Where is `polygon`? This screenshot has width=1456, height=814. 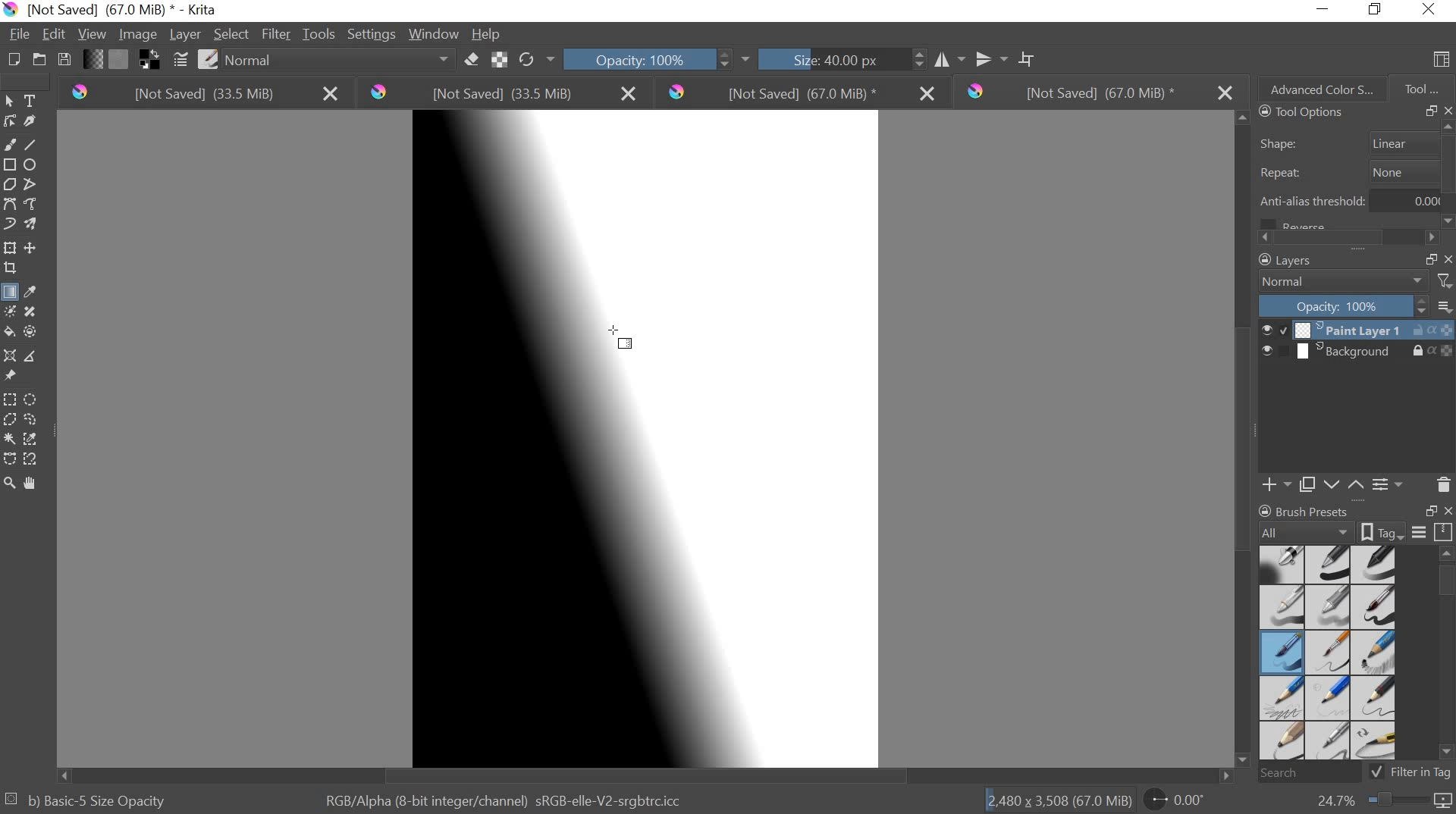
polygon is located at coordinates (11, 183).